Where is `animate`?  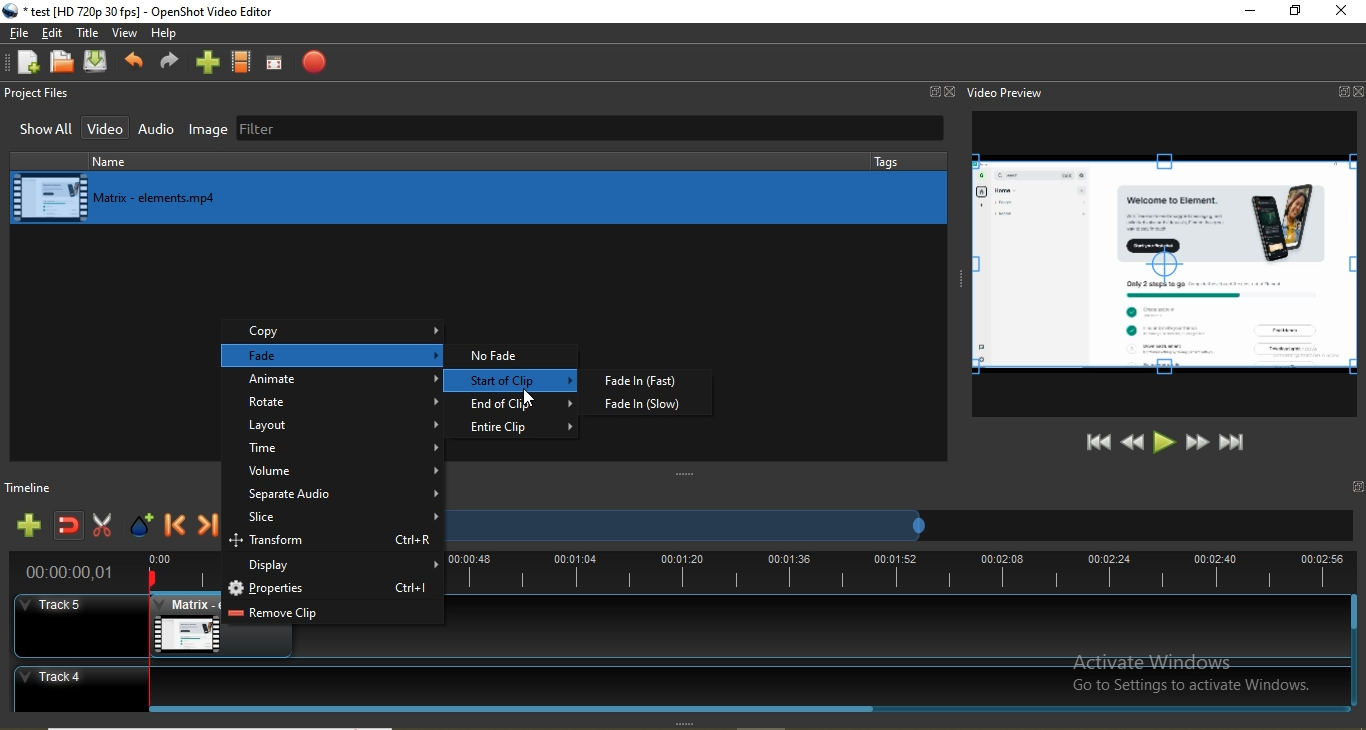 animate is located at coordinates (334, 380).